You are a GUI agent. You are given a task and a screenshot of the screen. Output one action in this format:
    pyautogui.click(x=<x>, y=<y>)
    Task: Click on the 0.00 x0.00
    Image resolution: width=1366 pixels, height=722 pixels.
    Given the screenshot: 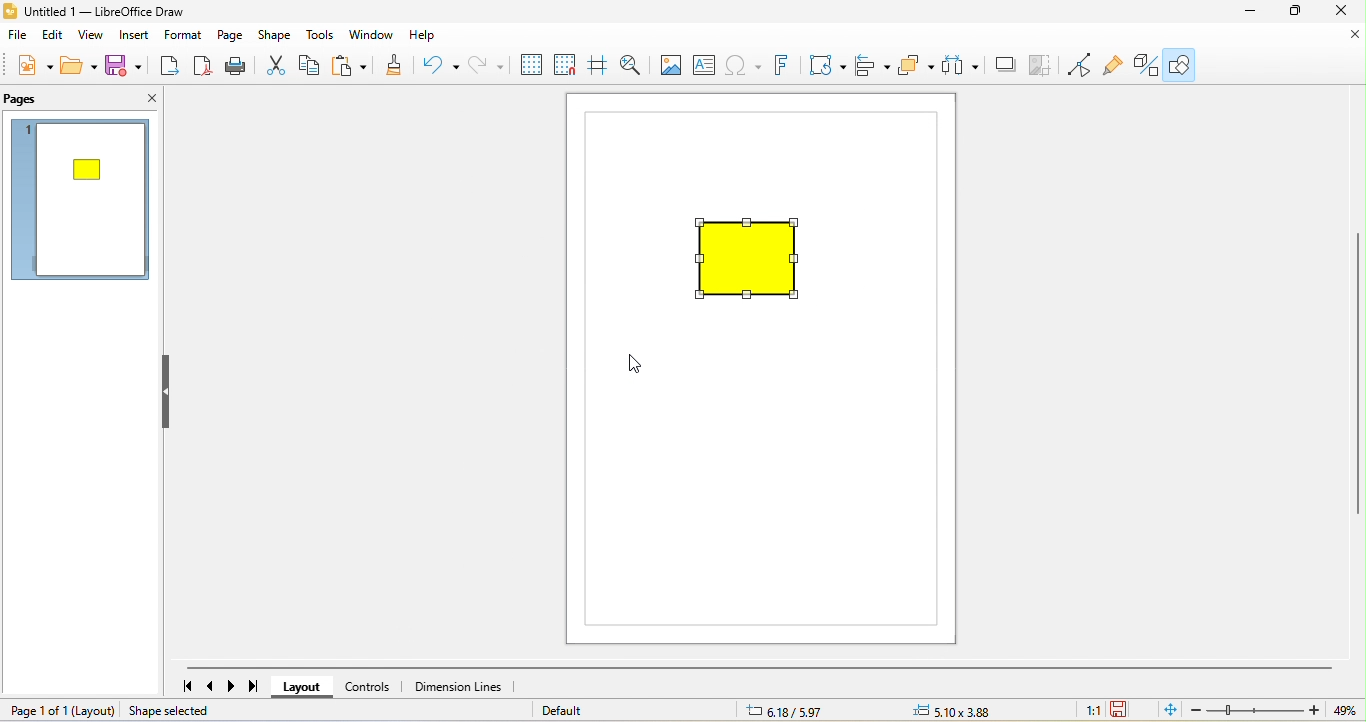 What is the action you would take?
    pyautogui.click(x=969, y=709)
    